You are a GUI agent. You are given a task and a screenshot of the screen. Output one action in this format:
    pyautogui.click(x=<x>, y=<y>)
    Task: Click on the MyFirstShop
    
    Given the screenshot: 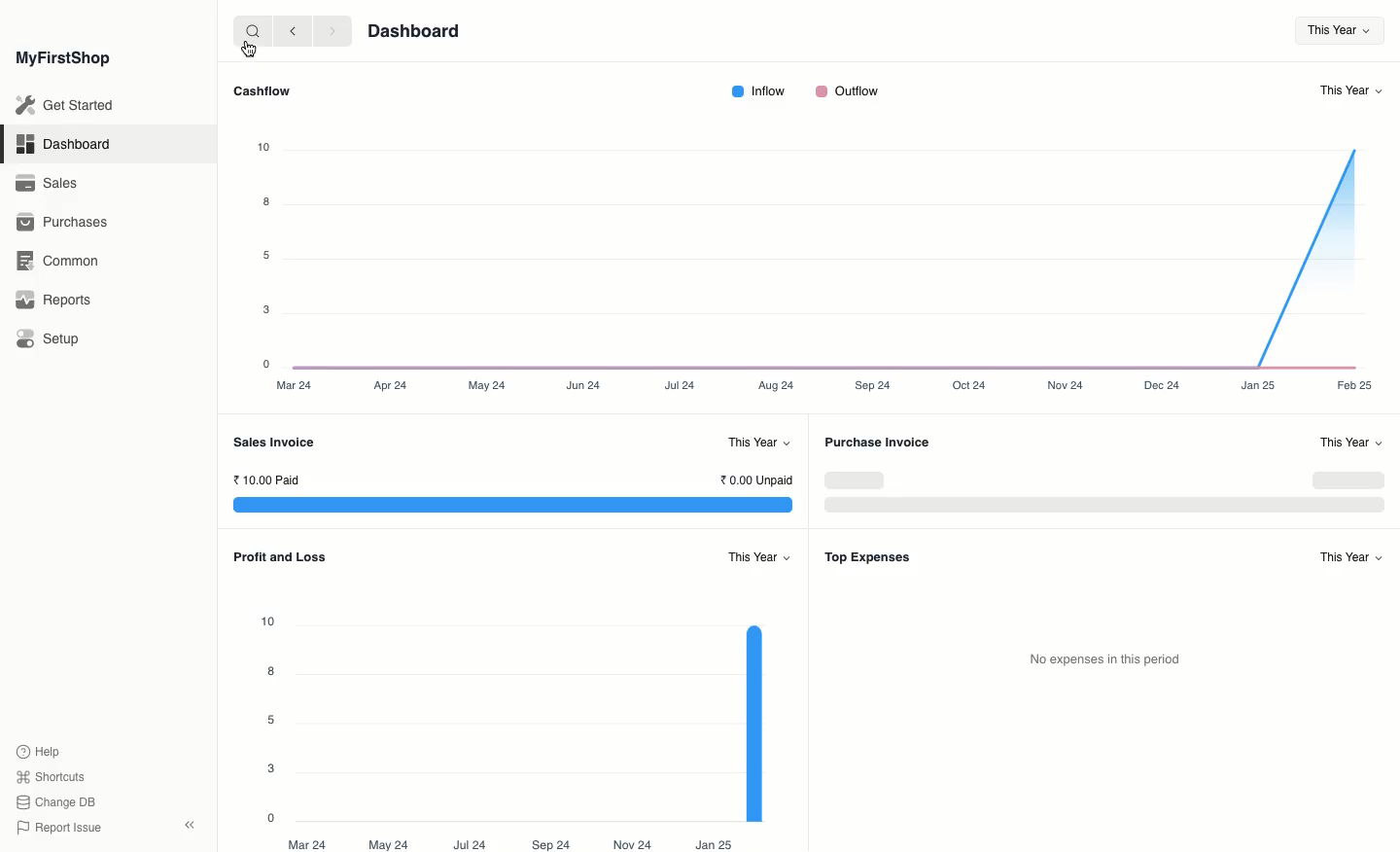 What is the action you would take?
    pyautogui.click(x=61, y=59)
    